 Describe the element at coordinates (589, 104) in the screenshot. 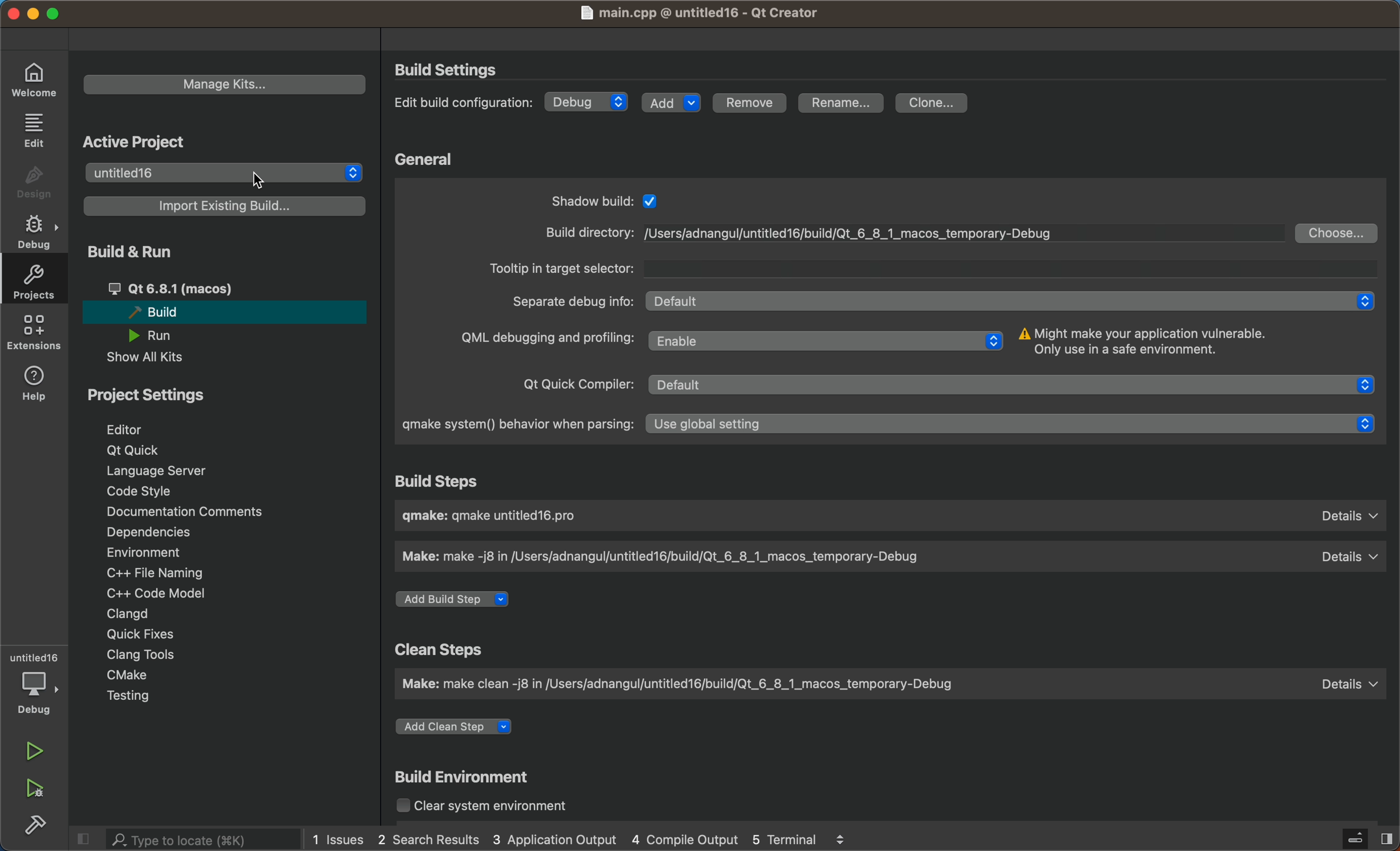

I see `debug` at that location.